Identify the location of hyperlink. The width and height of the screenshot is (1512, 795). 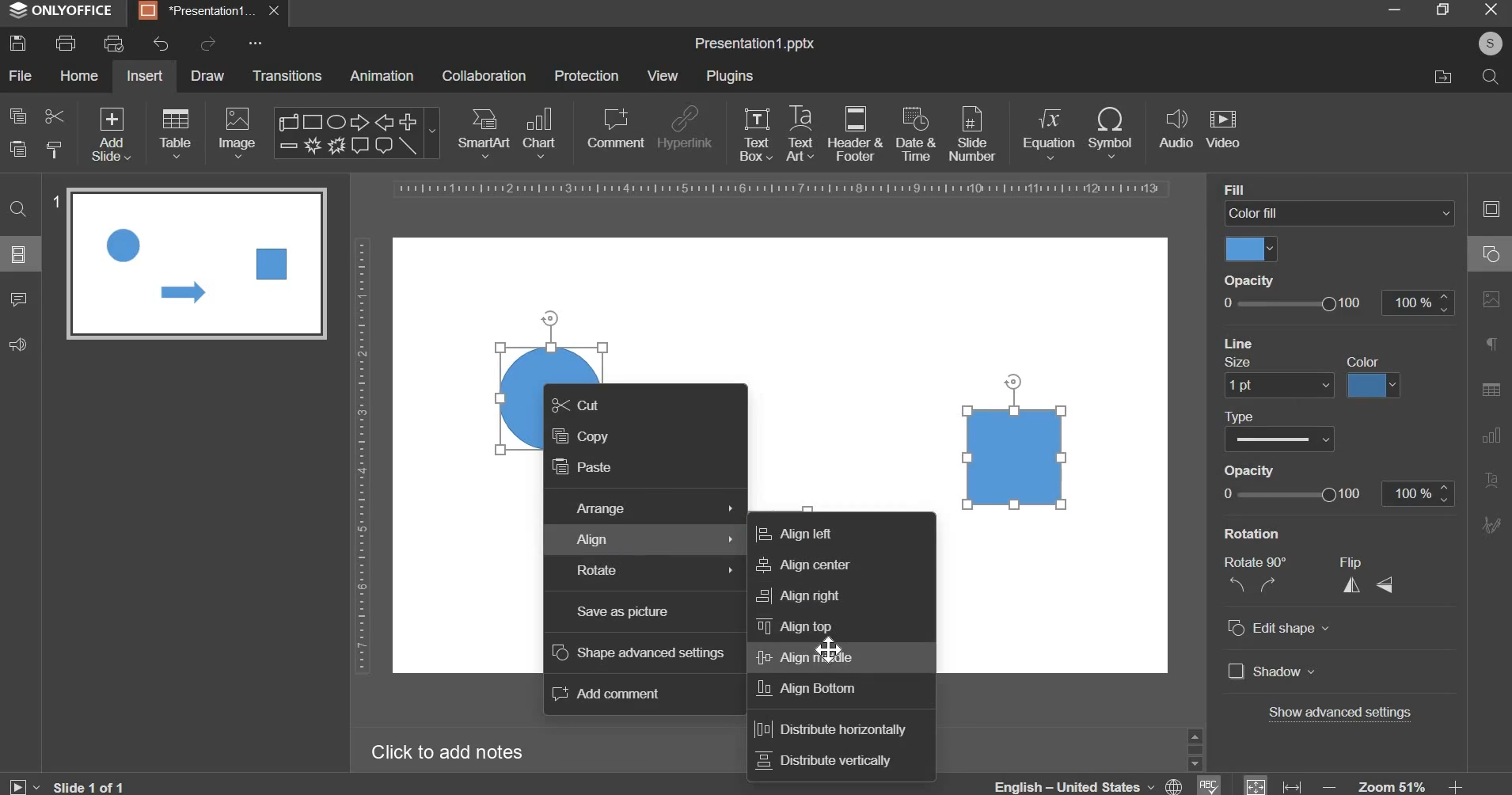
(684, 130).